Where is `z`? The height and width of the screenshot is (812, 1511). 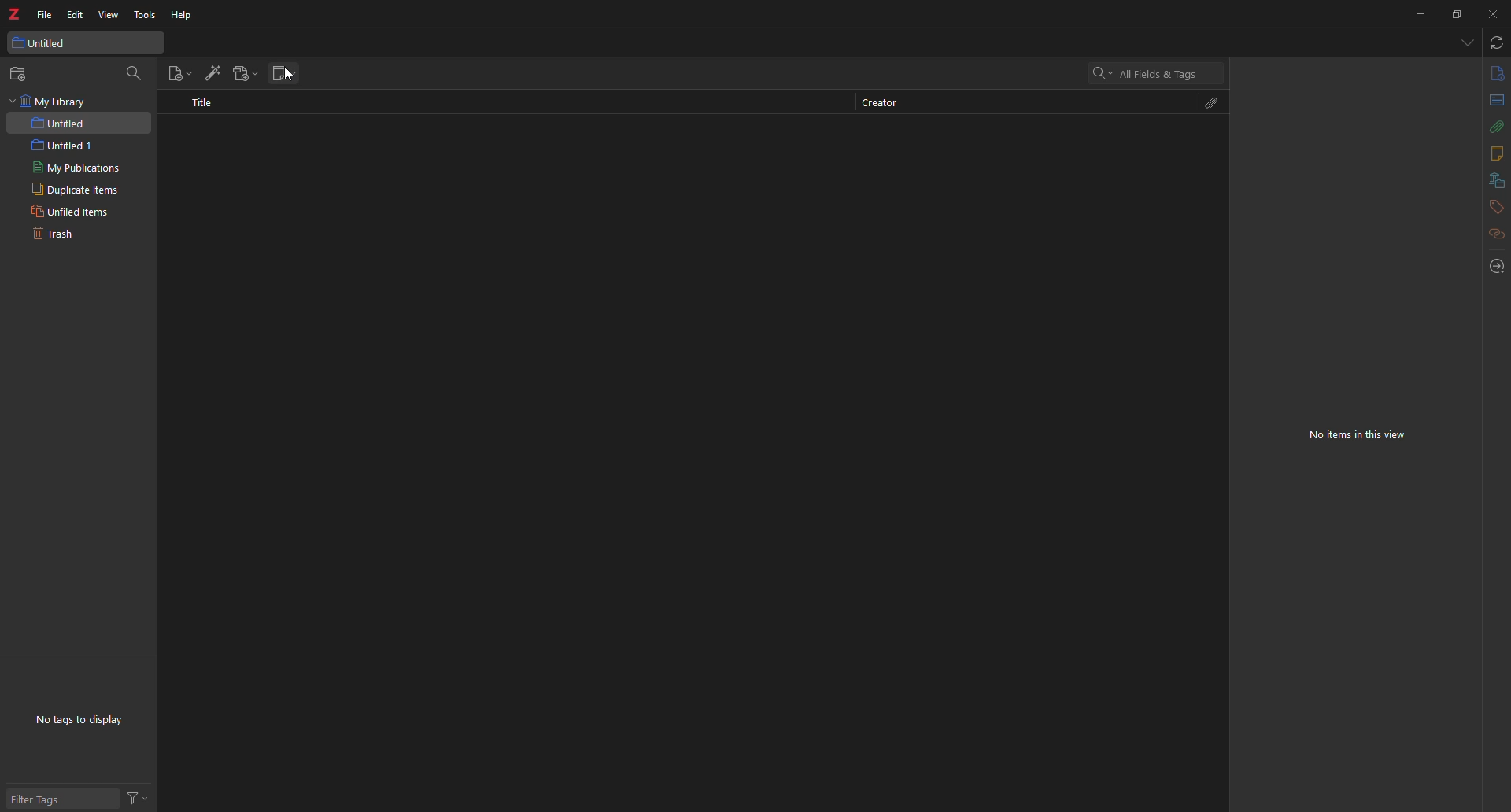 z is located at coordinates (14, 15).